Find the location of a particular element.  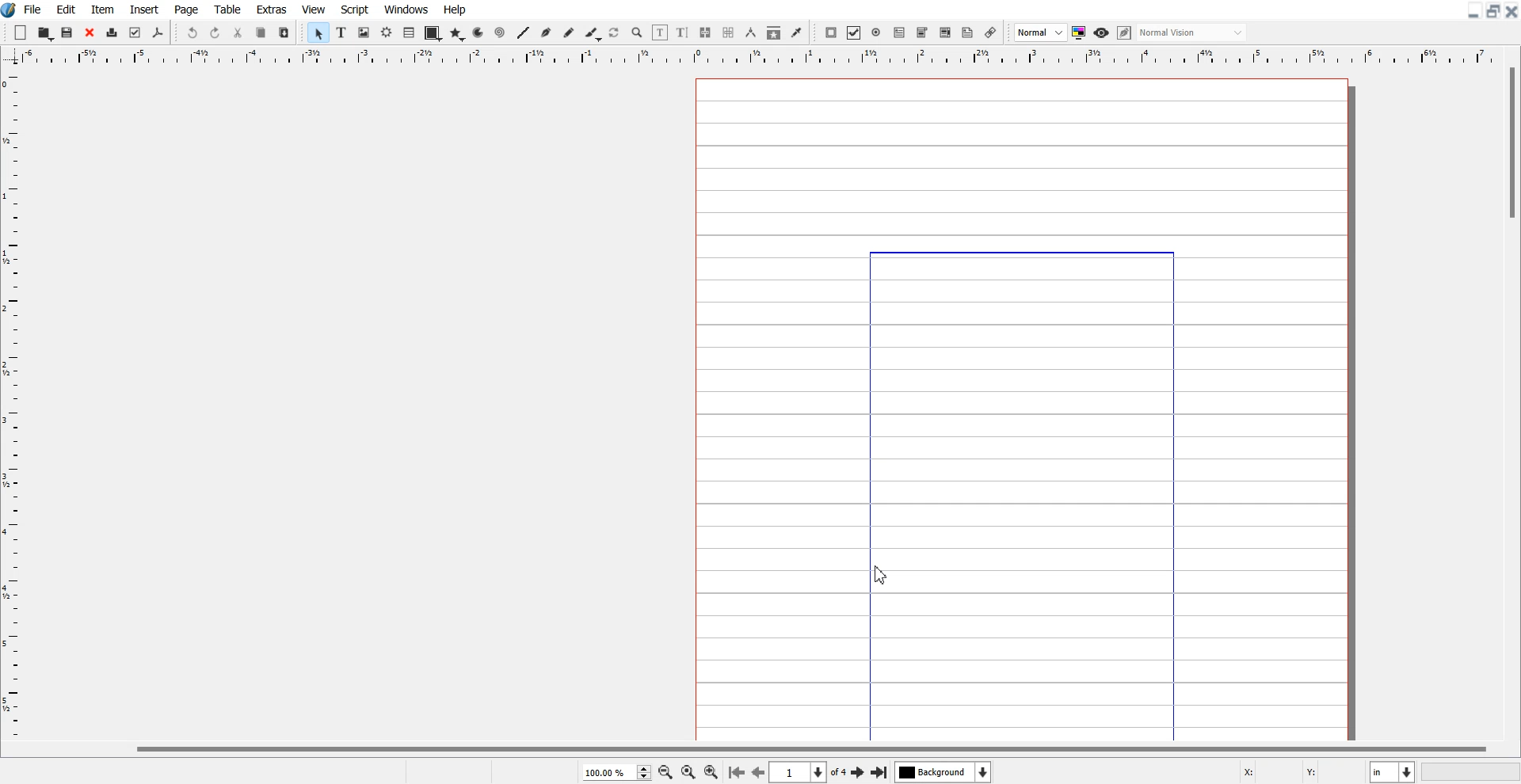

Arc is located at coordinates (478, 33).